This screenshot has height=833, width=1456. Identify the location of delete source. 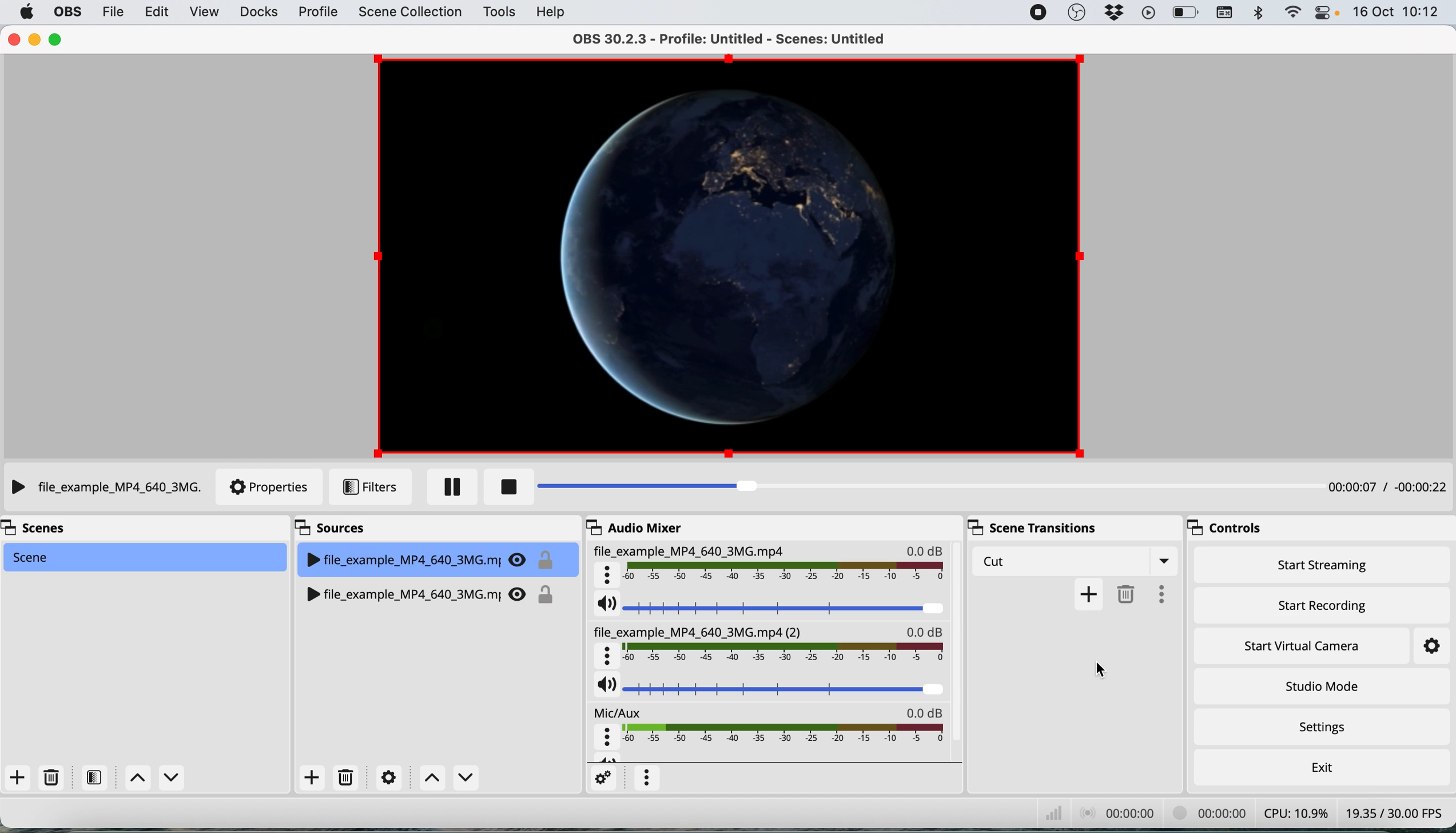
(345, 778).